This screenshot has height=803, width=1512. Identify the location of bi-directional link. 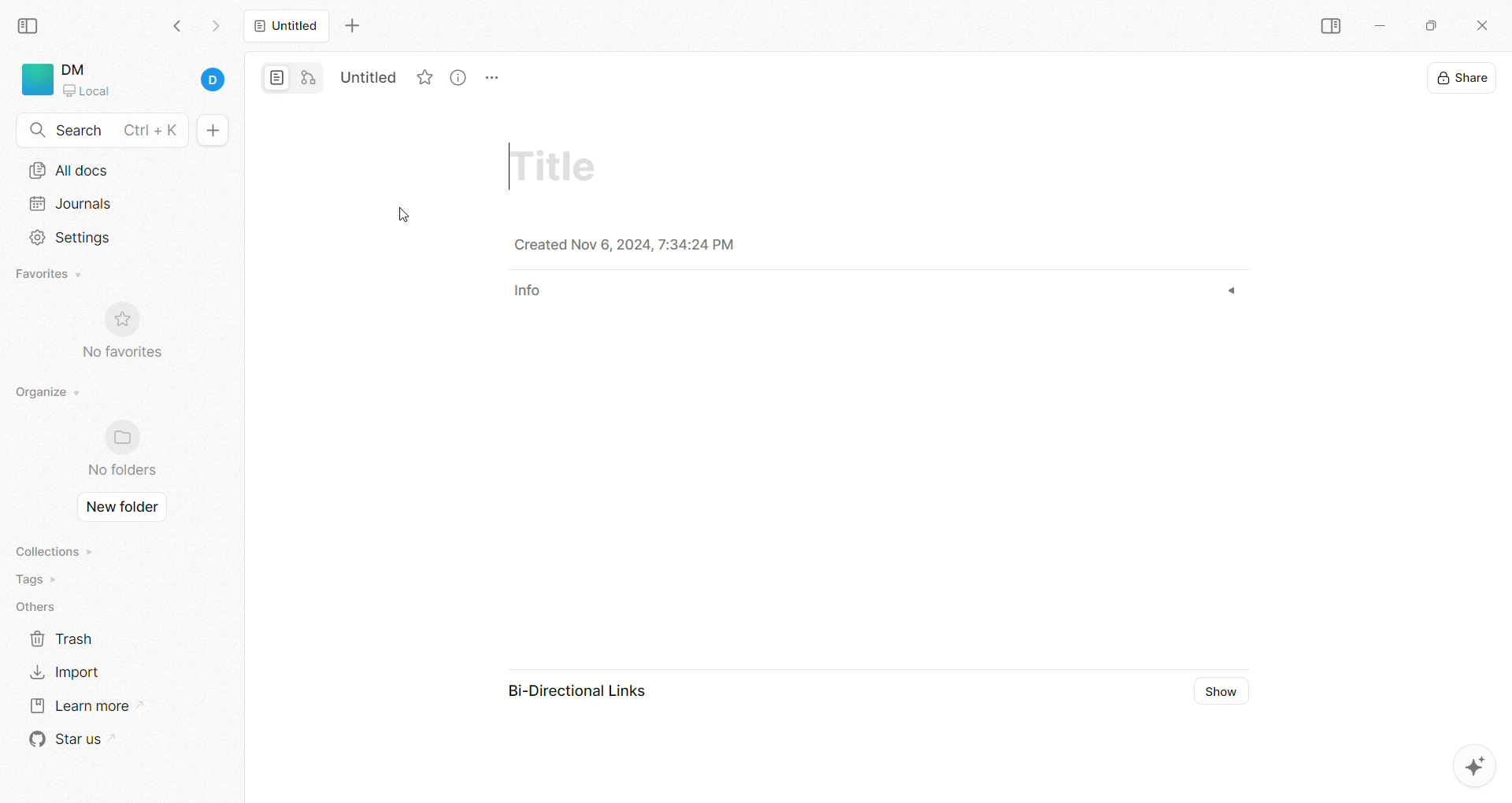
(591, 694).